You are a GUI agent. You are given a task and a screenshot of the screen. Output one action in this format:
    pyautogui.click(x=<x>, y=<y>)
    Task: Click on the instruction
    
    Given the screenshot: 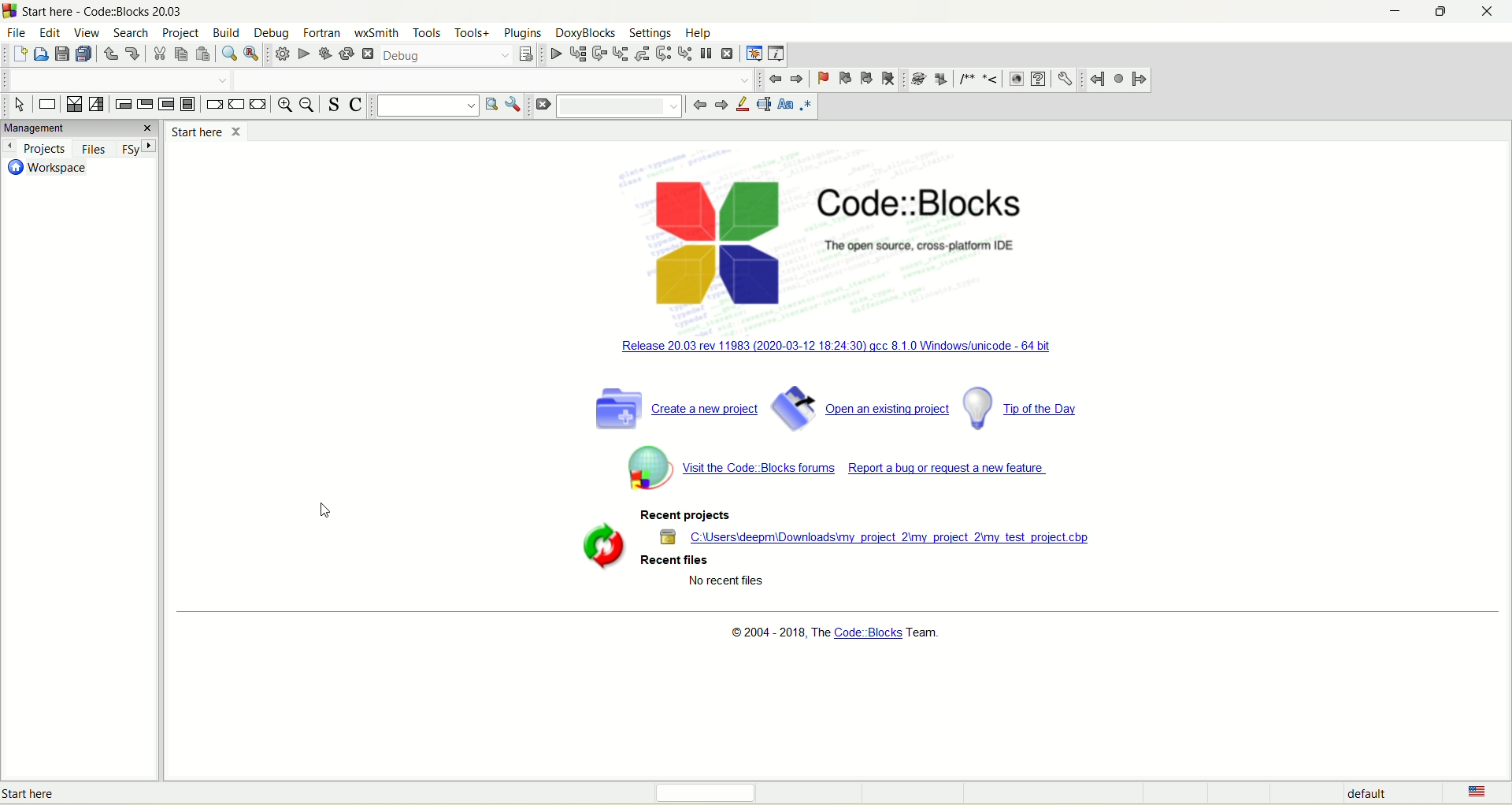 What is the action you would take?
    pyautogui.click(x=49, y=105)
    